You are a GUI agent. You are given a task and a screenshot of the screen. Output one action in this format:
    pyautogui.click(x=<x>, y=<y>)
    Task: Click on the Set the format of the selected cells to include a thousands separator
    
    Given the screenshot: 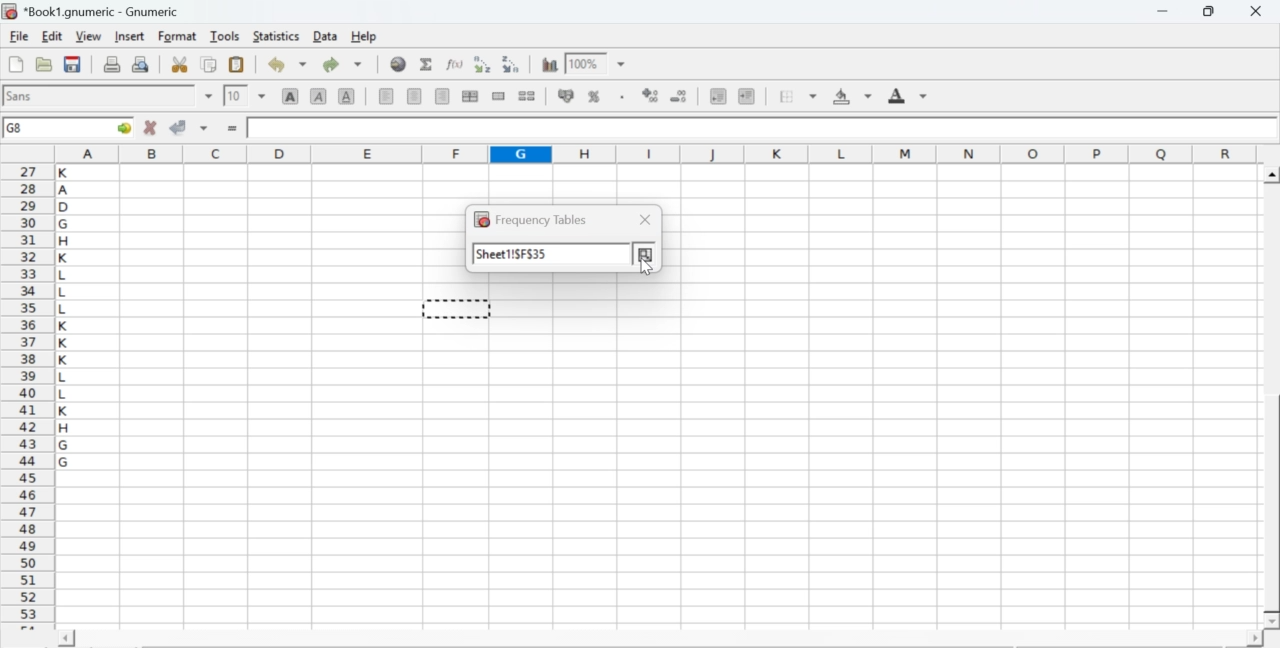 What is the action you would take?
    pyautogui.click(x=620, y=97)
    